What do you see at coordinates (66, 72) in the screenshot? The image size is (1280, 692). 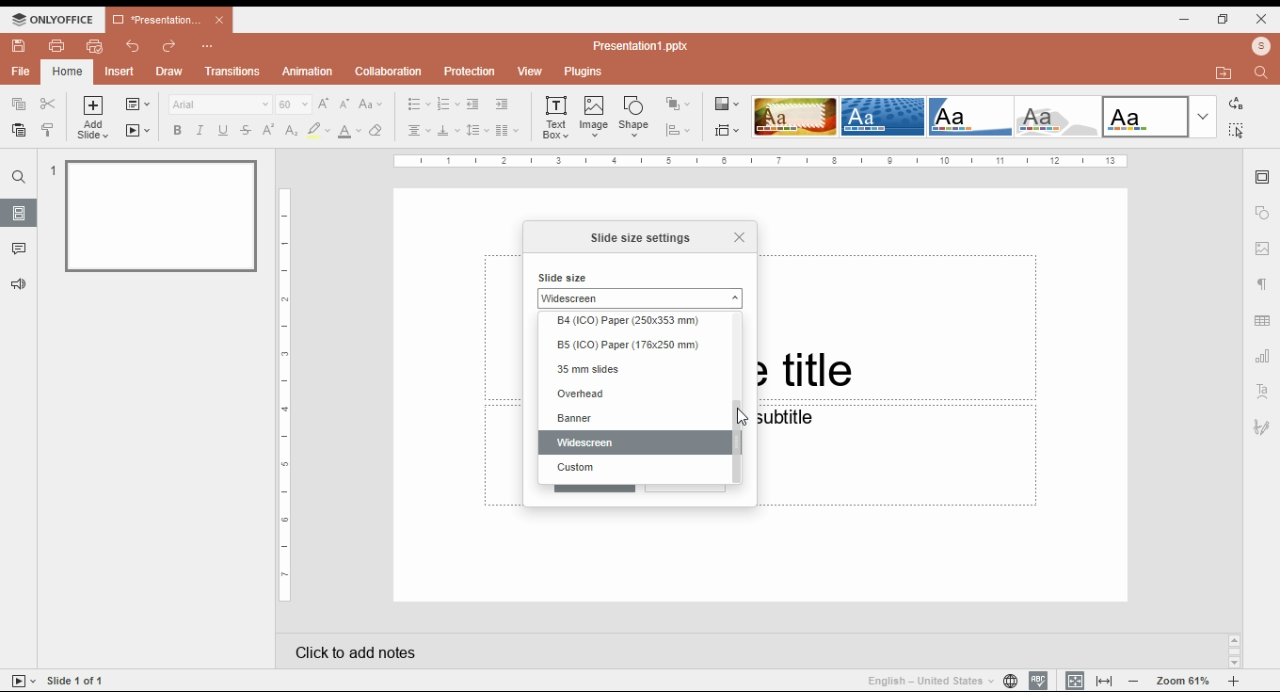 I see `home` at bounding box center [66, 72].